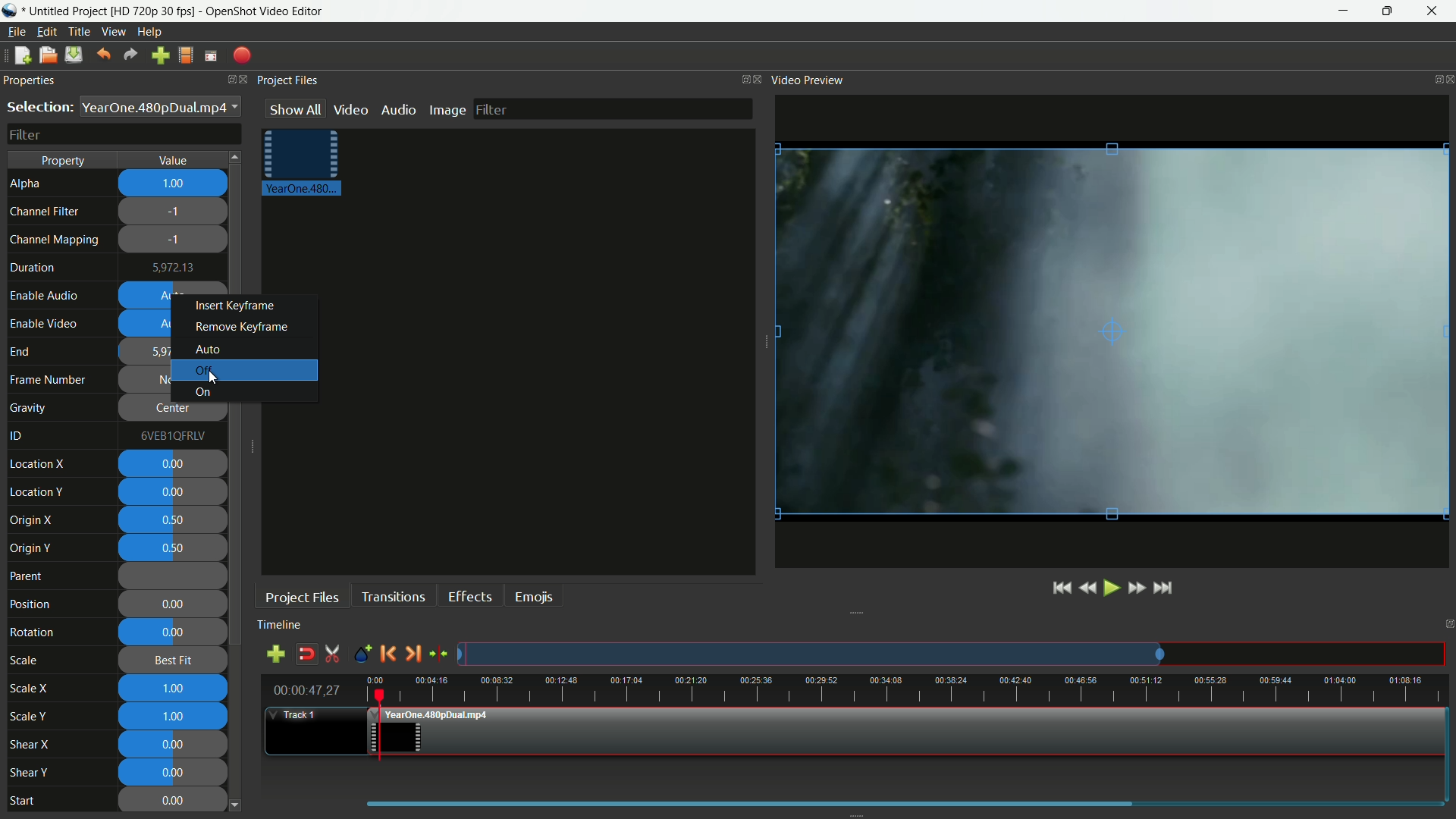  I want to click on add track, so click(275, 654).